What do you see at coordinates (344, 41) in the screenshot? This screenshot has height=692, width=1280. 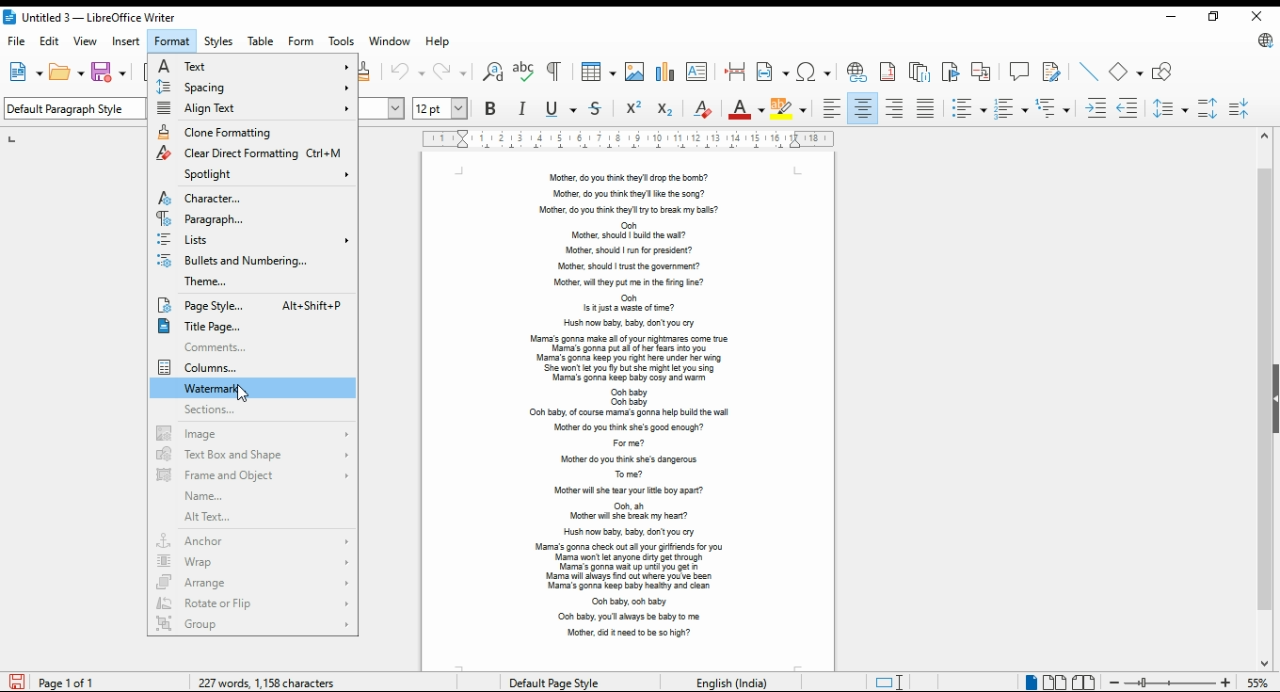 I see `tools` at bounding box center [344, 41].